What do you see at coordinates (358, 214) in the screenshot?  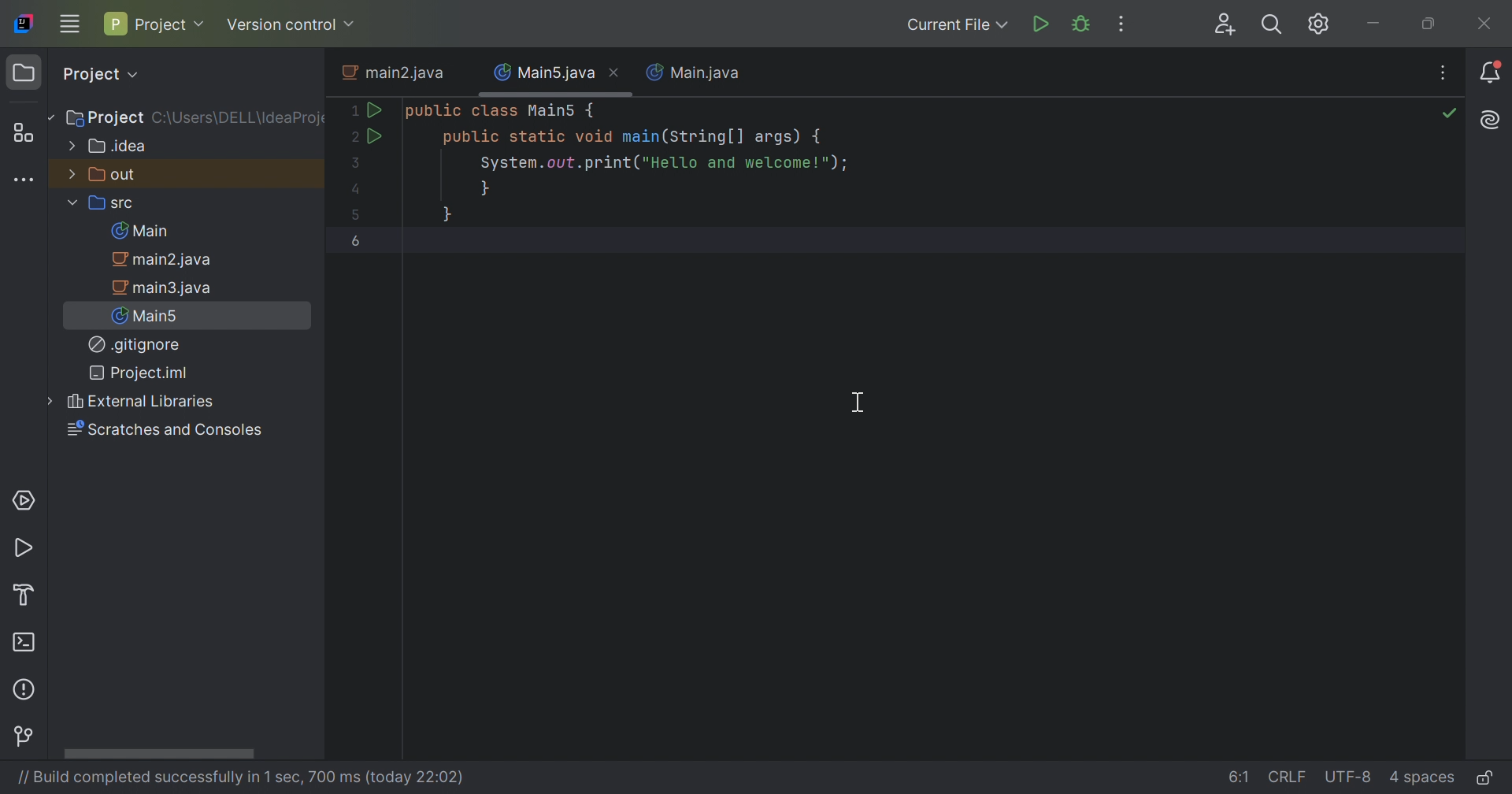 I see `5` at bounding box center [358, 214].